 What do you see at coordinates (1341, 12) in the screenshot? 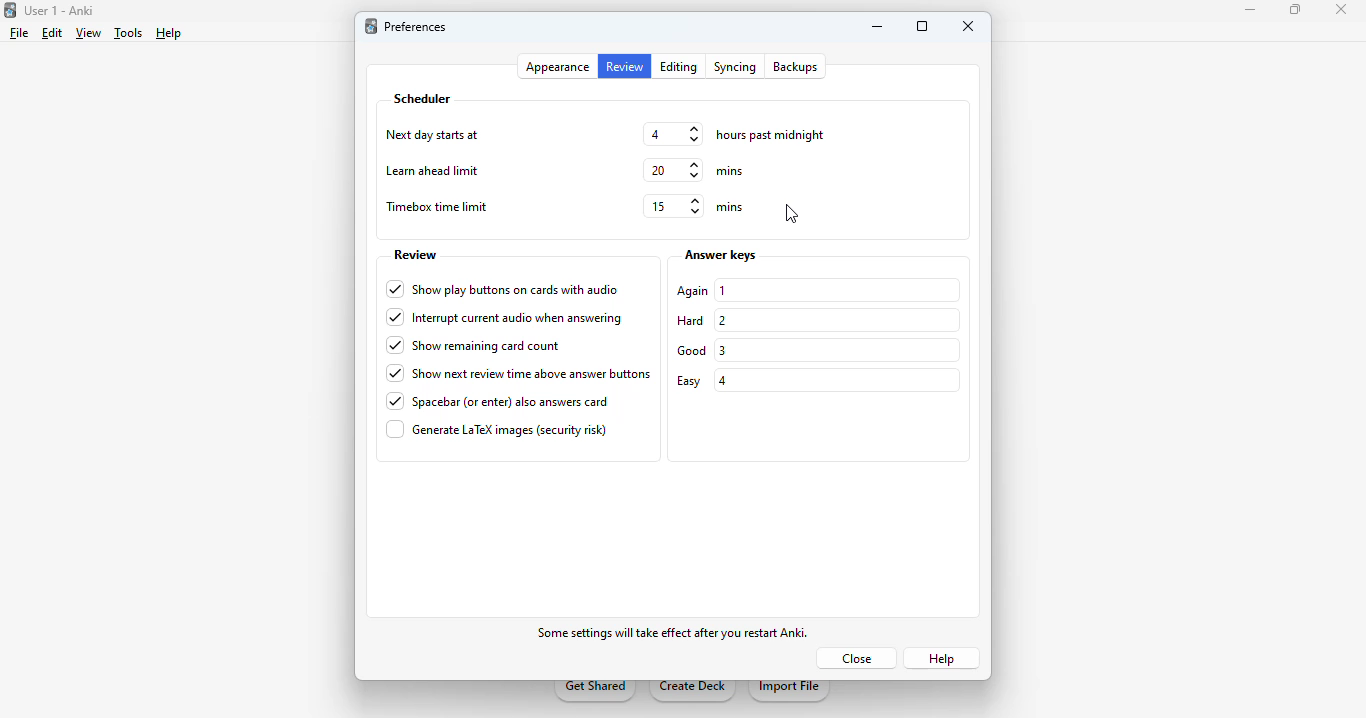
I see `close` at bounding box center [1341, 12].